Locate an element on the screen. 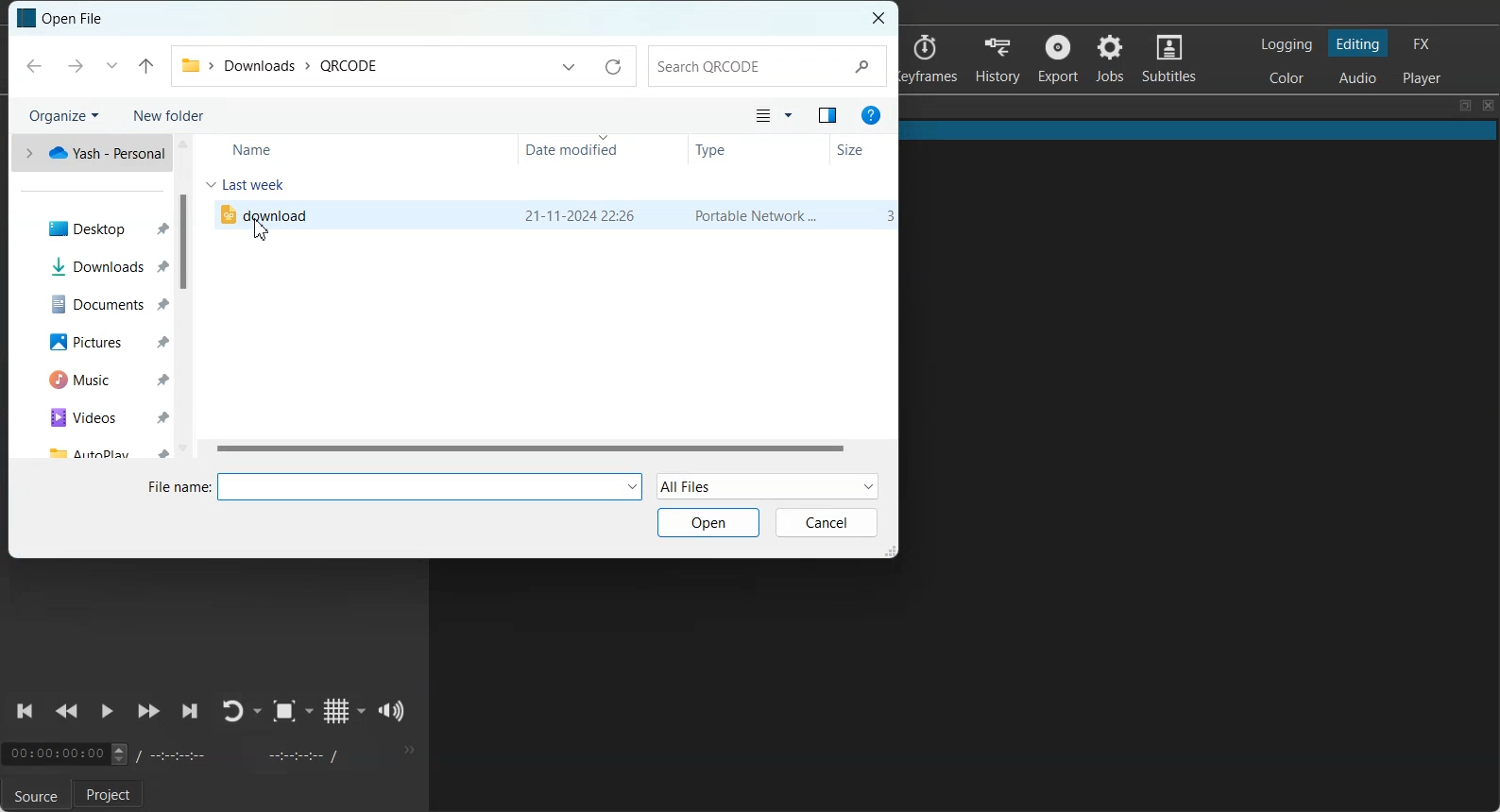 This screenshot has width=1500, height=812. Toggle Zoom is located at coordinates (284, 711).